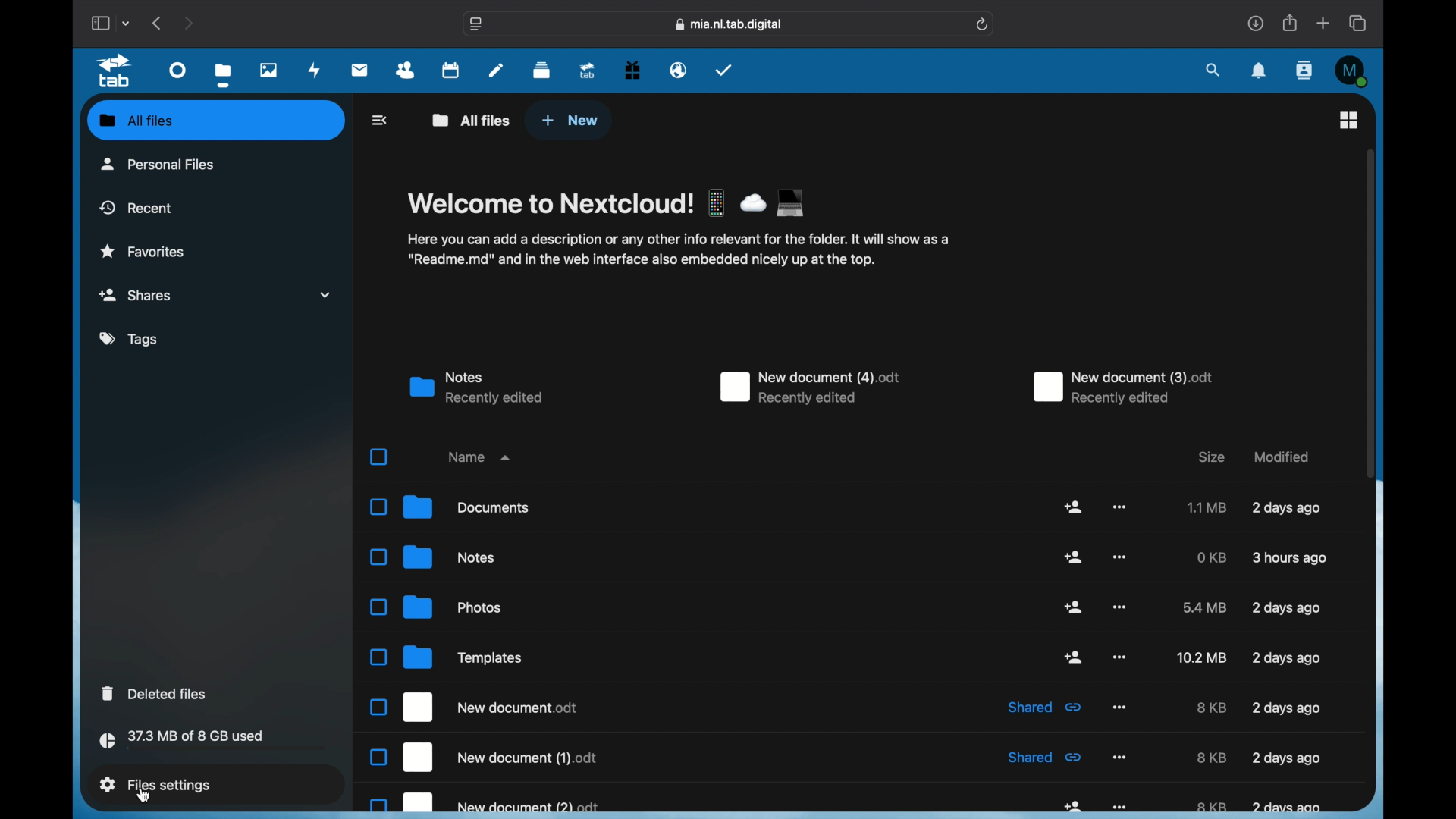 The image size is (1456, 819). What do you see at coordinates (1212, 70) in the screenshot?
I see `search` at bounding box center [1212, 70].